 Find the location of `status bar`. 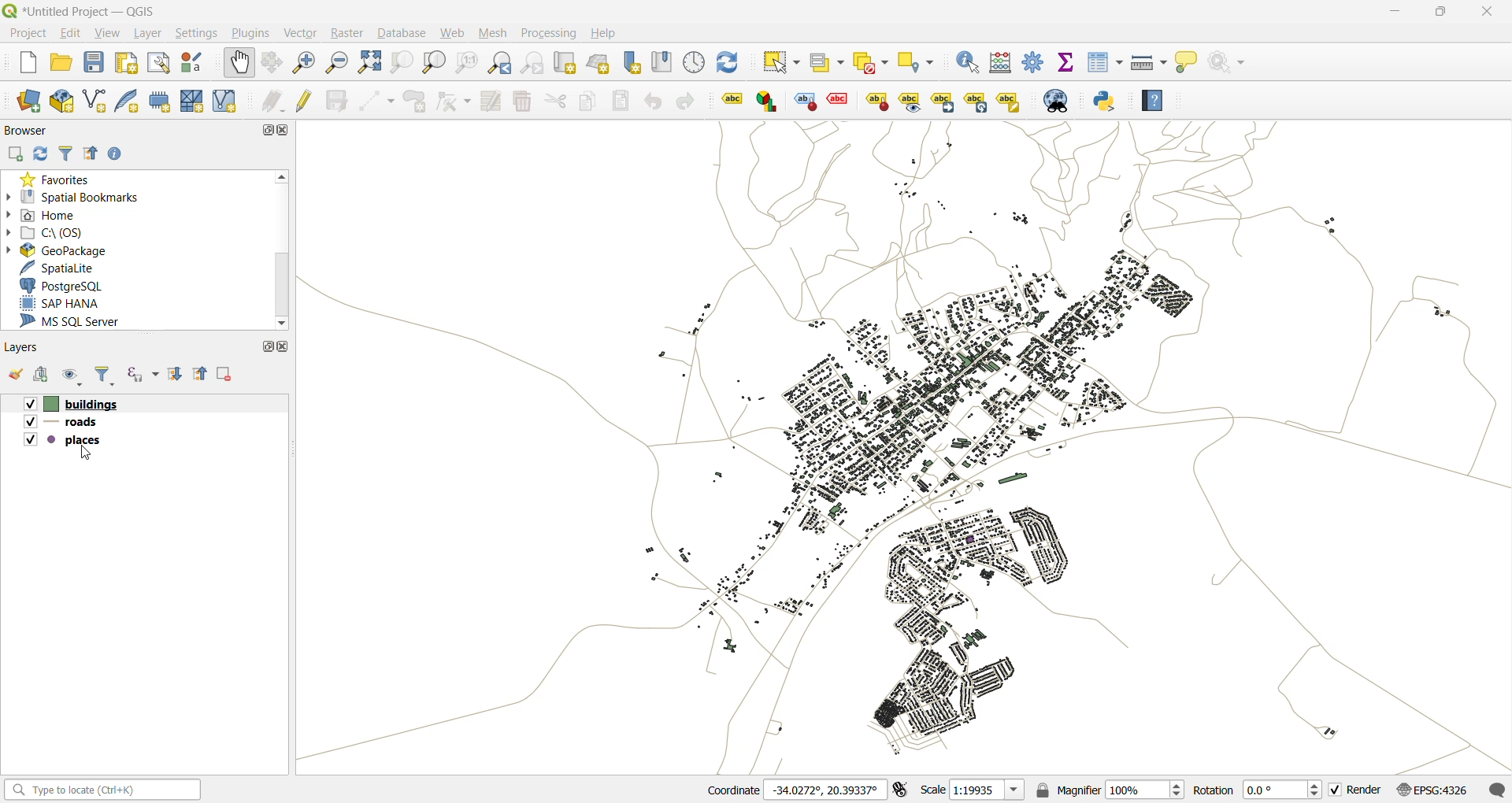

status bar is located at coordinates (100, 789).